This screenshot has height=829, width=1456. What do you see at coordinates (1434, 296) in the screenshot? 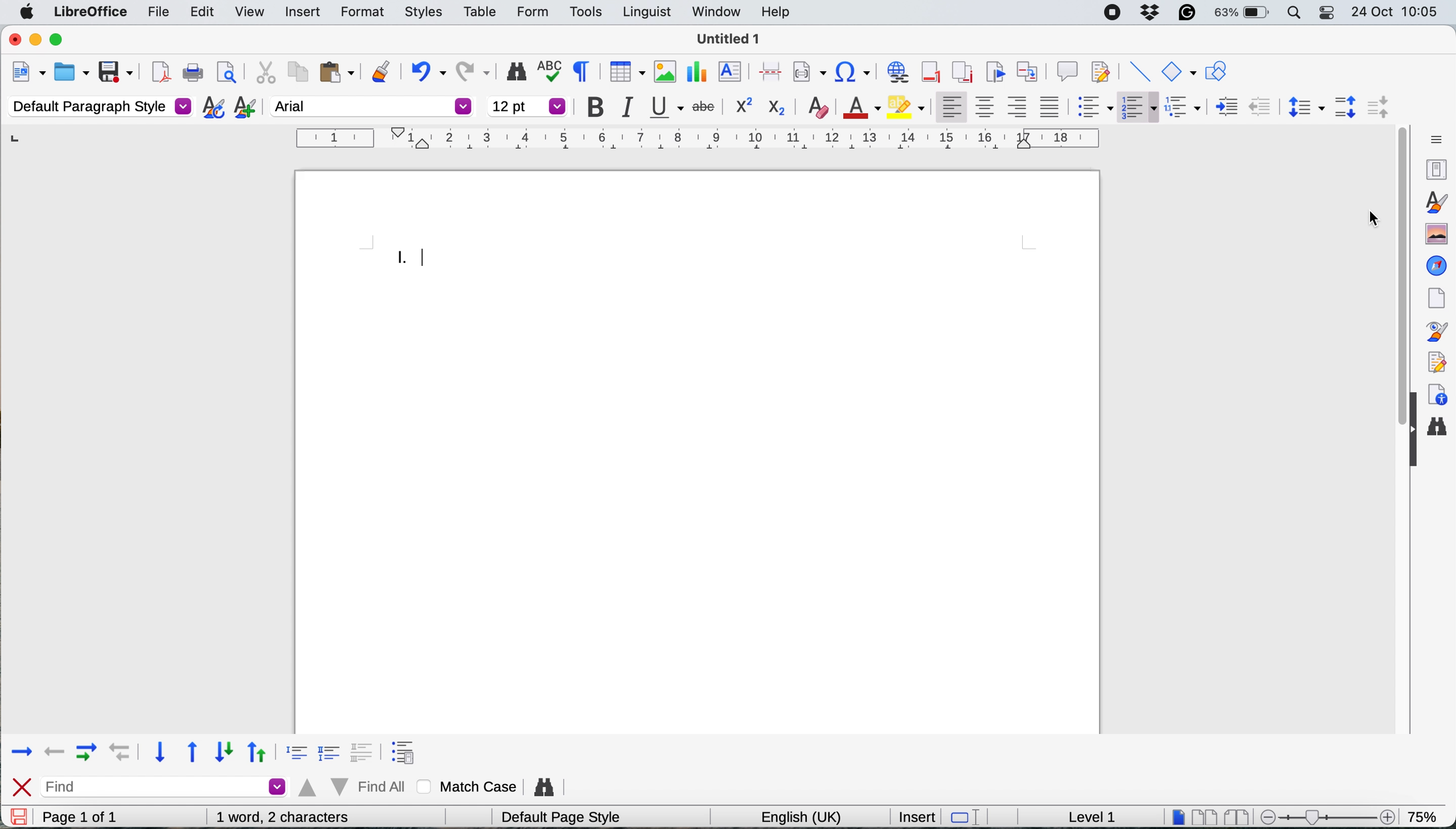
I see `page` at bounding box center [1434, 296].